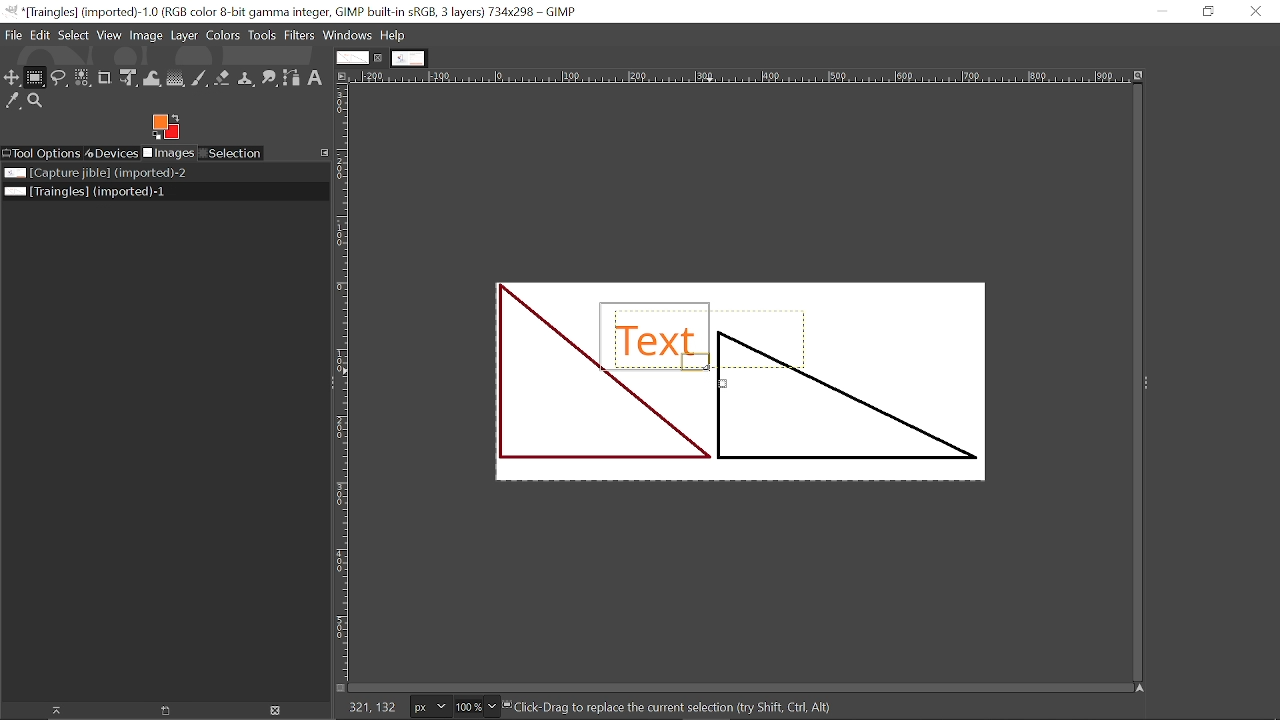 The height and width of the screenshot is (720, 1280). I want to click on Rectangular select, so click(36, 77).